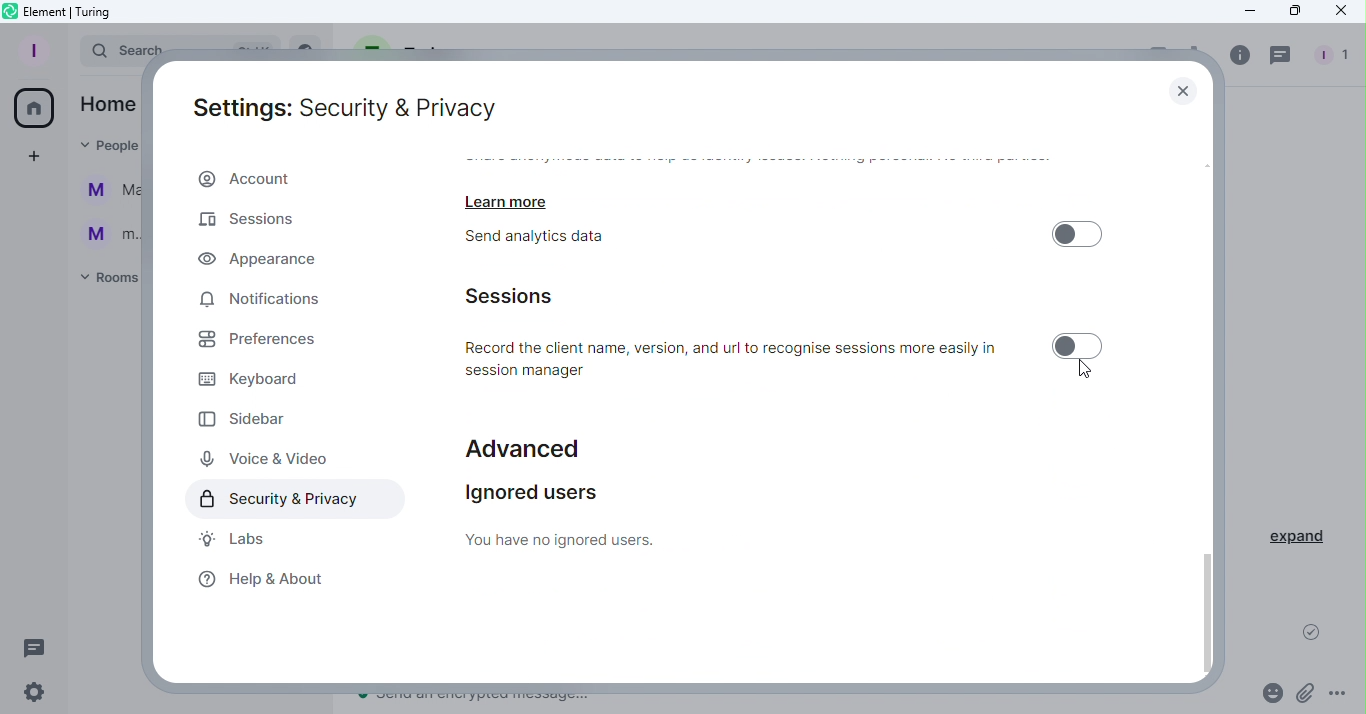  I want to click on Create a space, so click(33, 157).